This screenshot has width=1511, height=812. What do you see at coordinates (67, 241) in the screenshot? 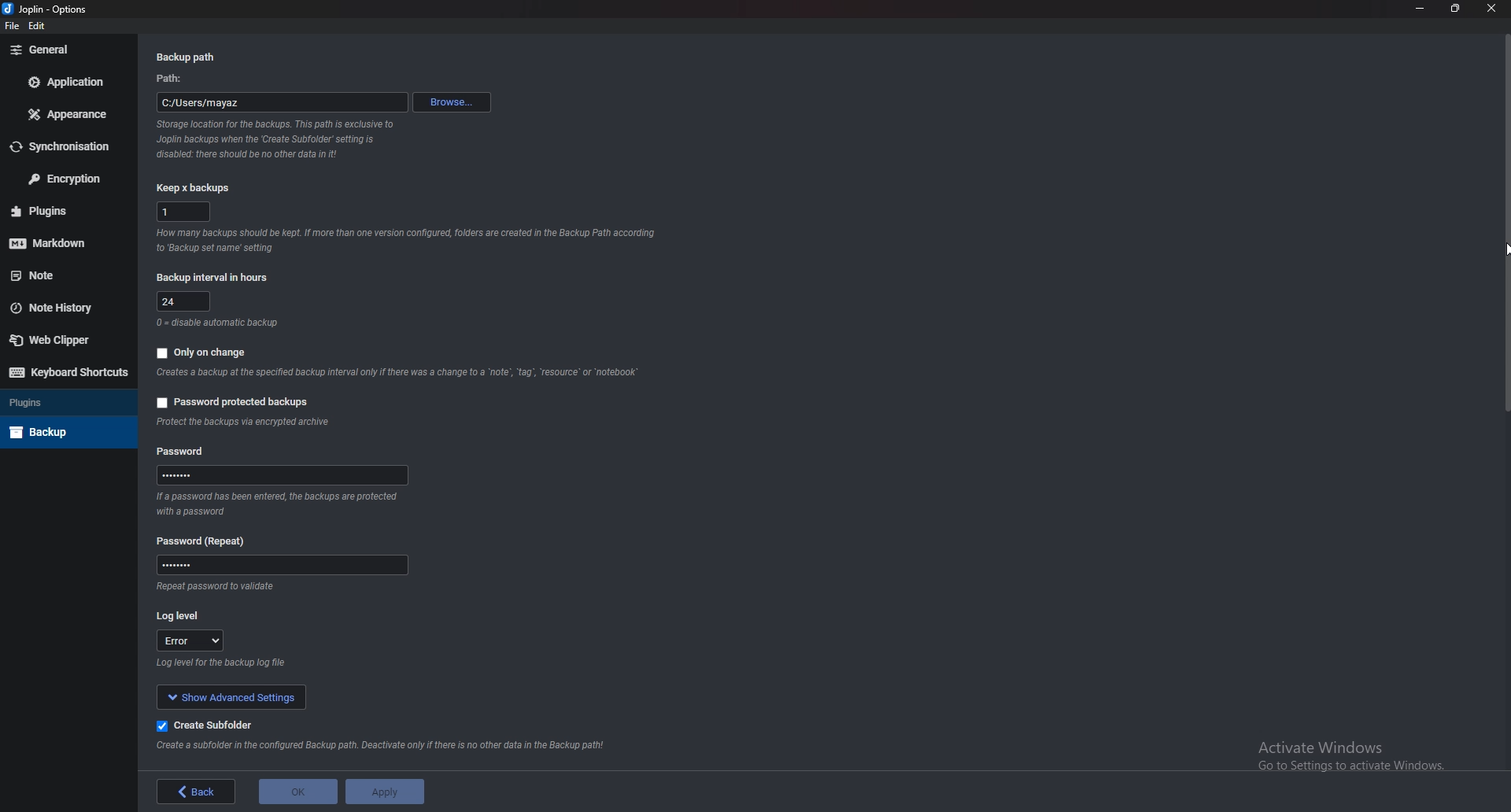
I see `Markdown` at bounding box center [67, 241].